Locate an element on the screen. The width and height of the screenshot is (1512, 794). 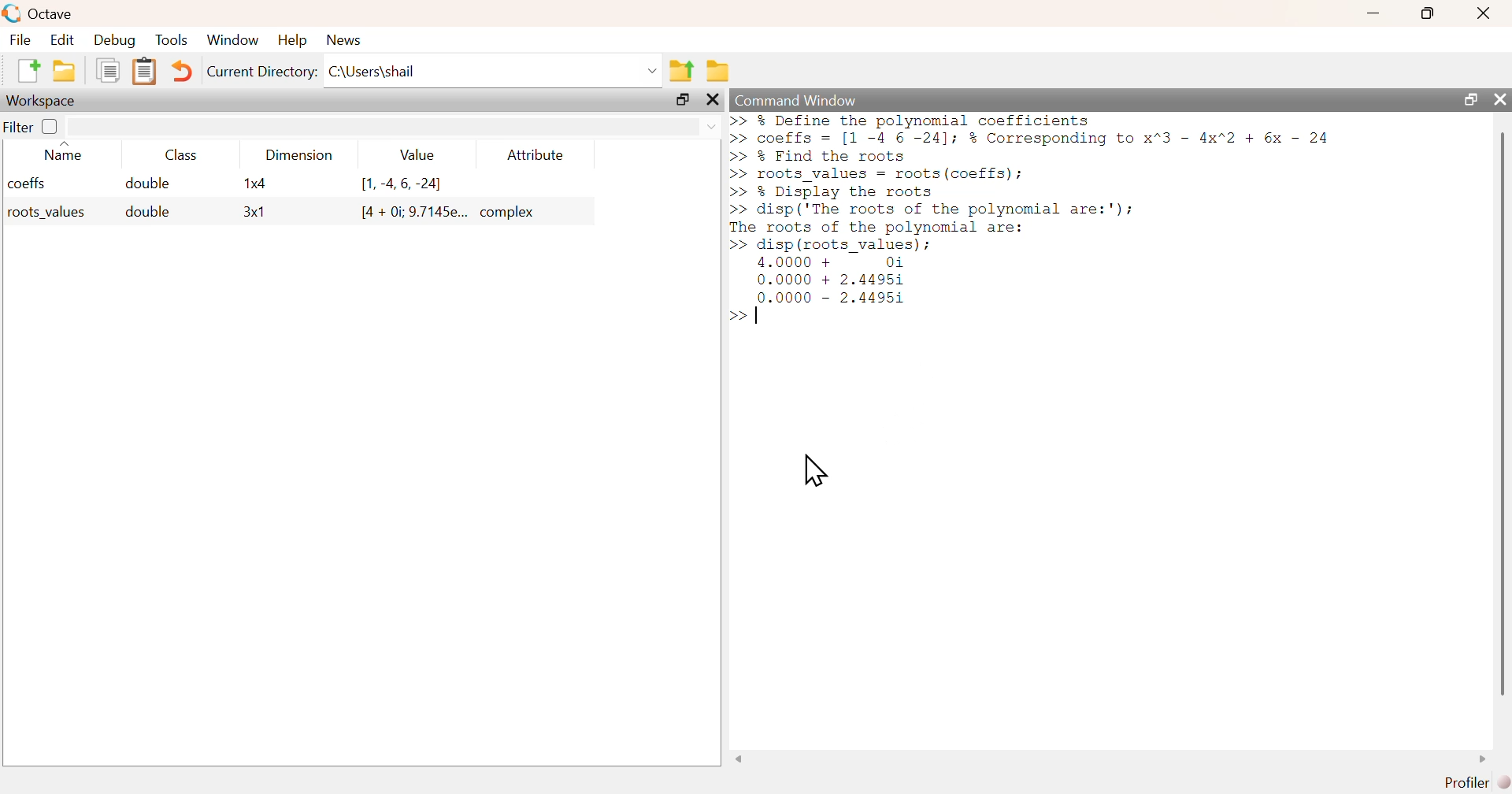
Undo is located at coordinates (179, 72).